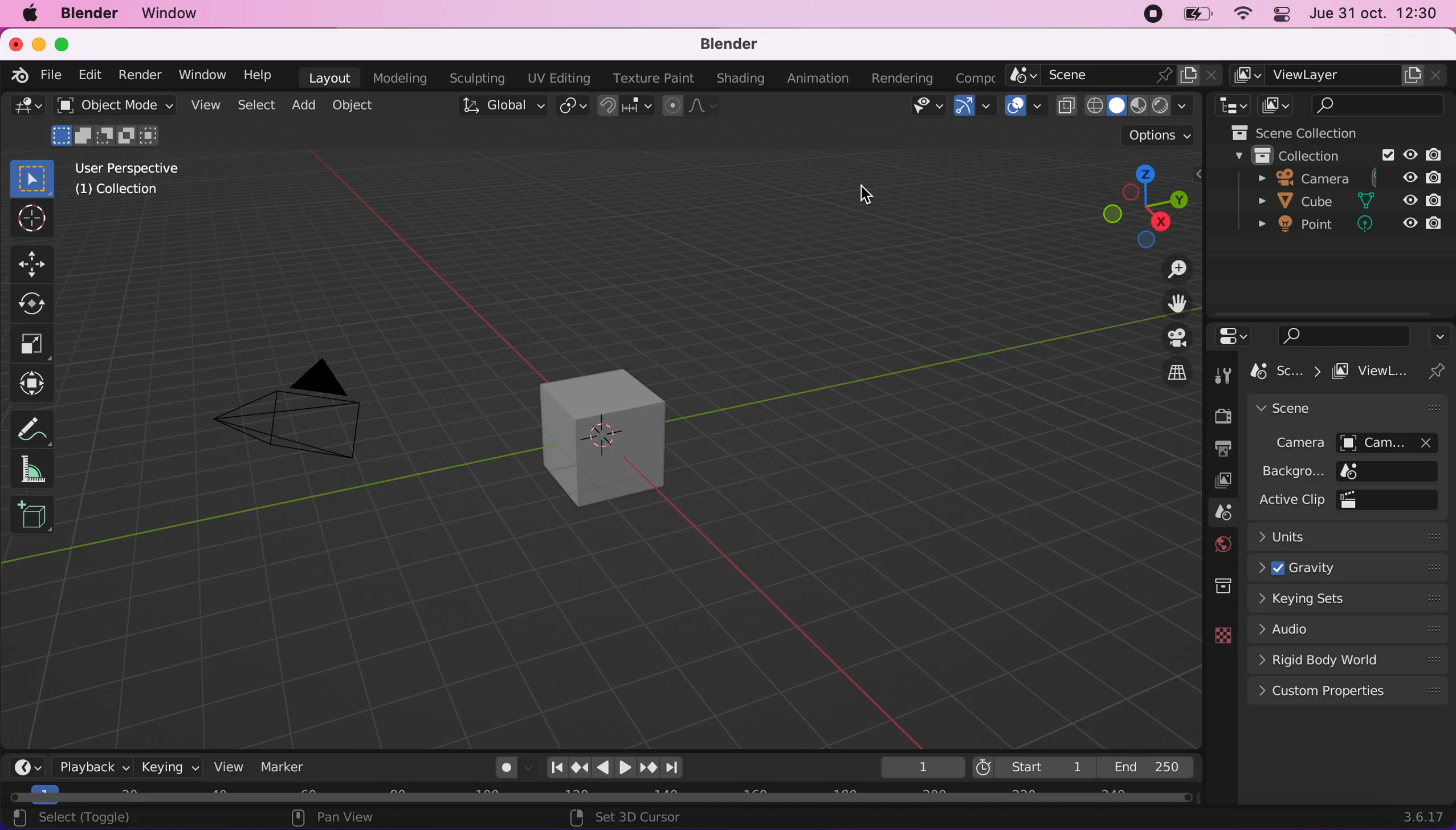 Image resolution: width=1456 pixels, height=830 pixels. Describe the element at coordinates (1348, 693) in the screenshot. I see `custom properties` at that location.